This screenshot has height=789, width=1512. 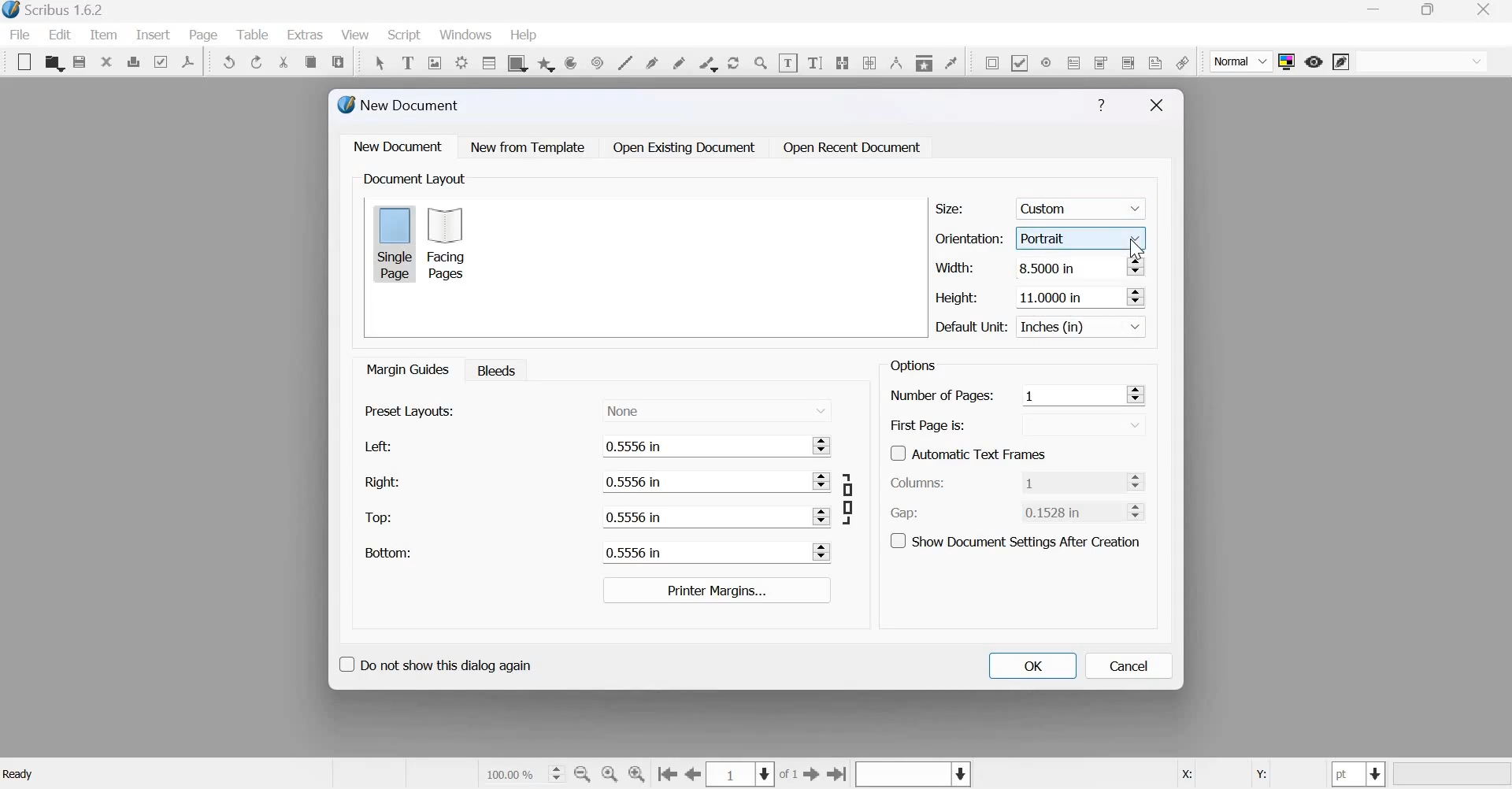 I want to click on Open Recent Document, so click(x=853, y=148).